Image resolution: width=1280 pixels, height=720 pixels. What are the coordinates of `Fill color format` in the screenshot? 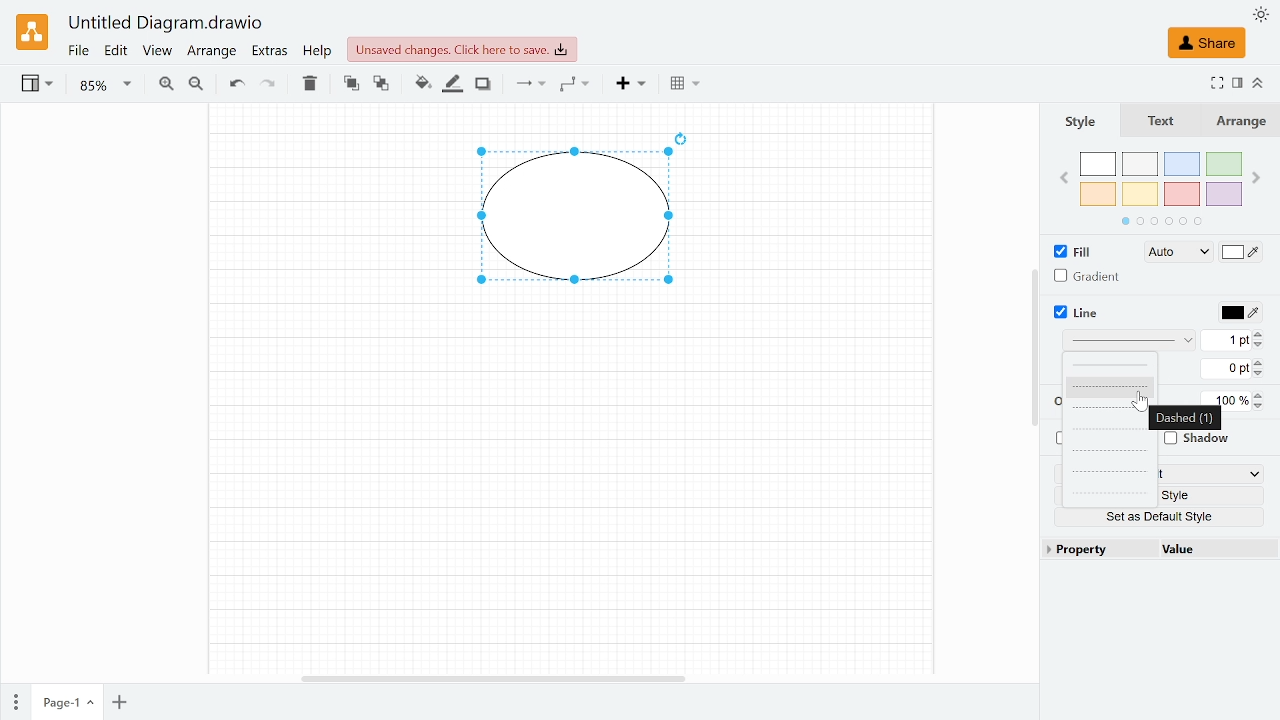 It's located at (1170, 252).